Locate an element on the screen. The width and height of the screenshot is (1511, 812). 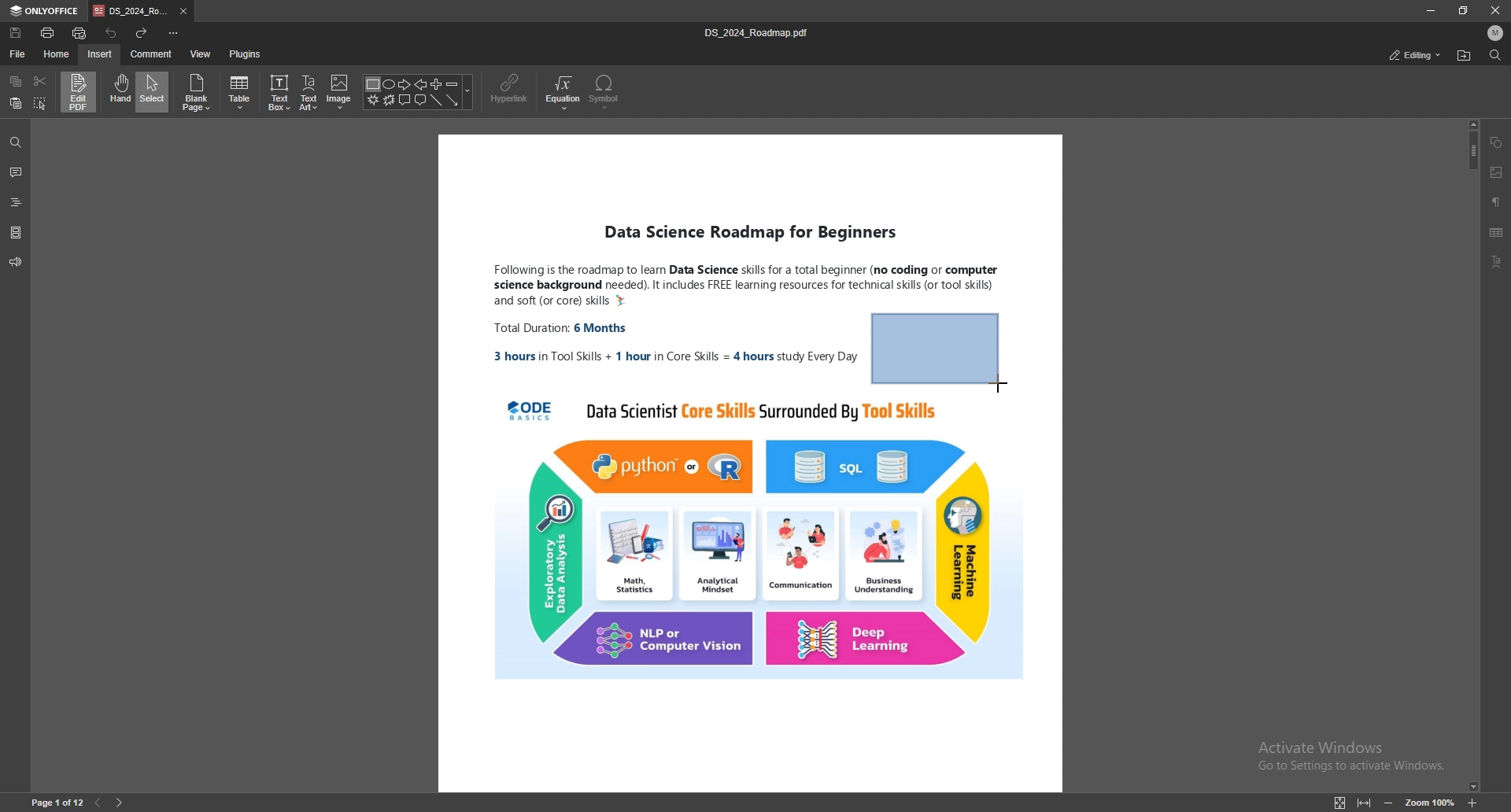
plugins is located at coordinates (245, 54).